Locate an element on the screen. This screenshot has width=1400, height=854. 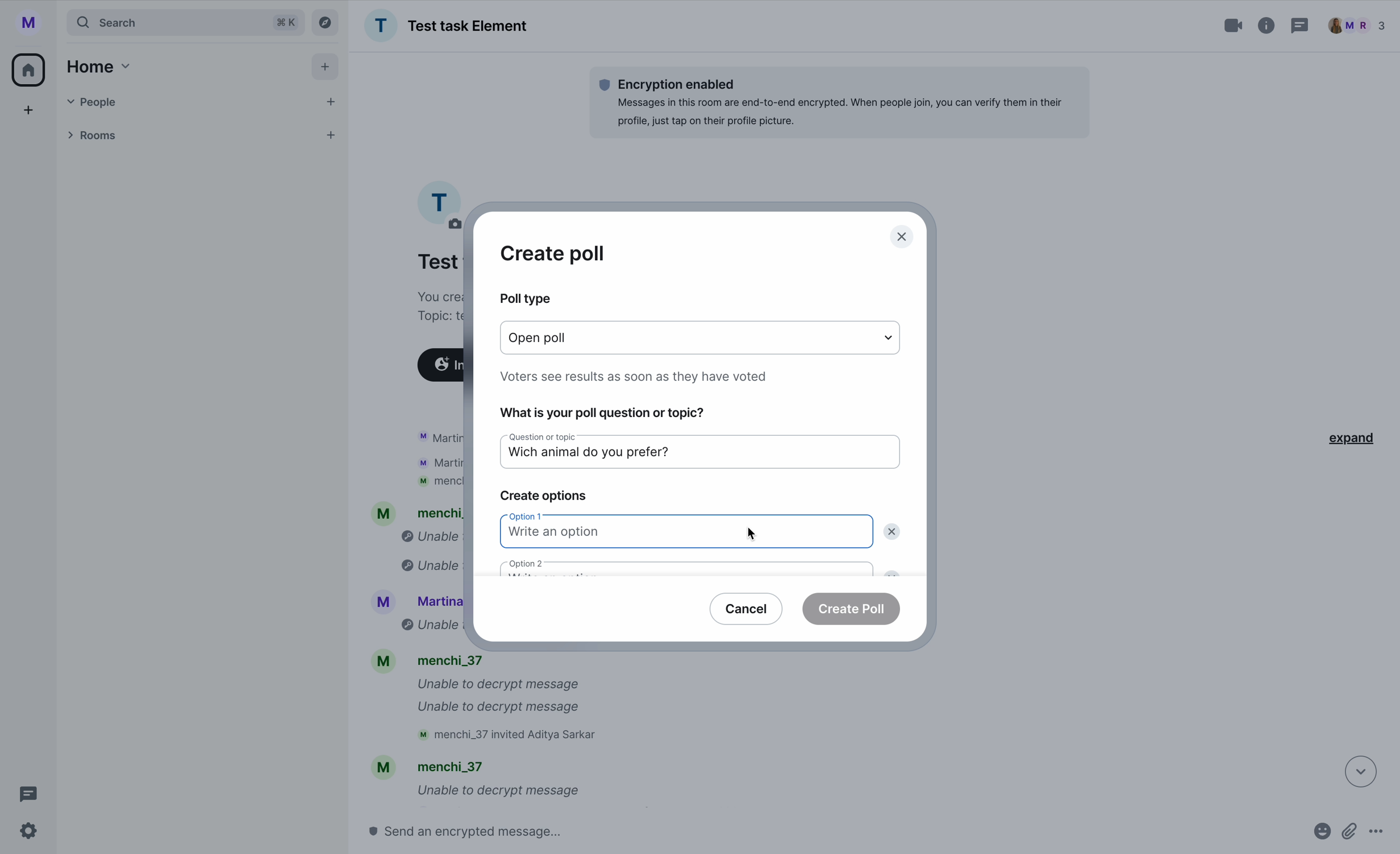
video call is located at coordinates (1235, 26).